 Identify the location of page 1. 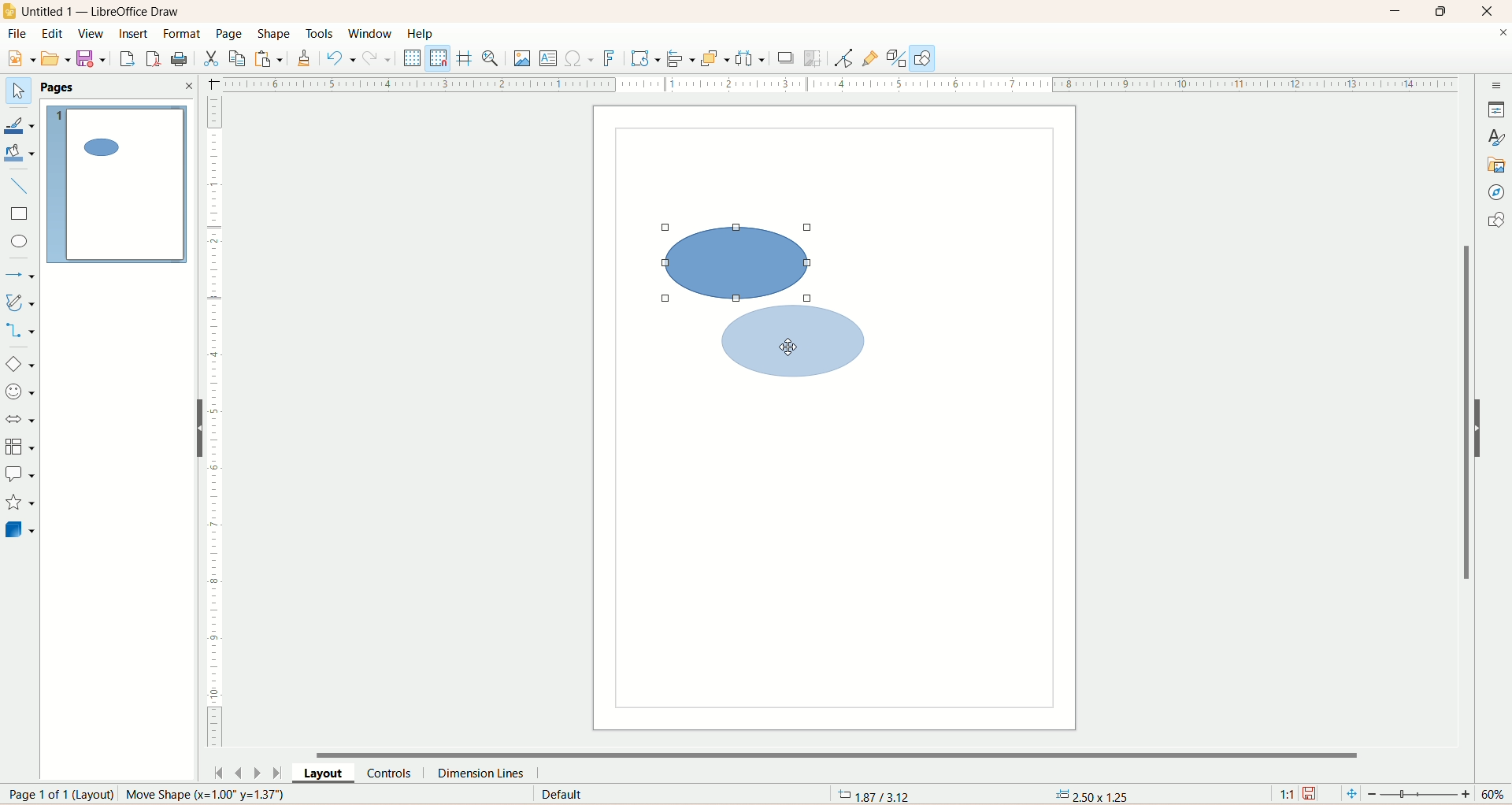
(117, 183).